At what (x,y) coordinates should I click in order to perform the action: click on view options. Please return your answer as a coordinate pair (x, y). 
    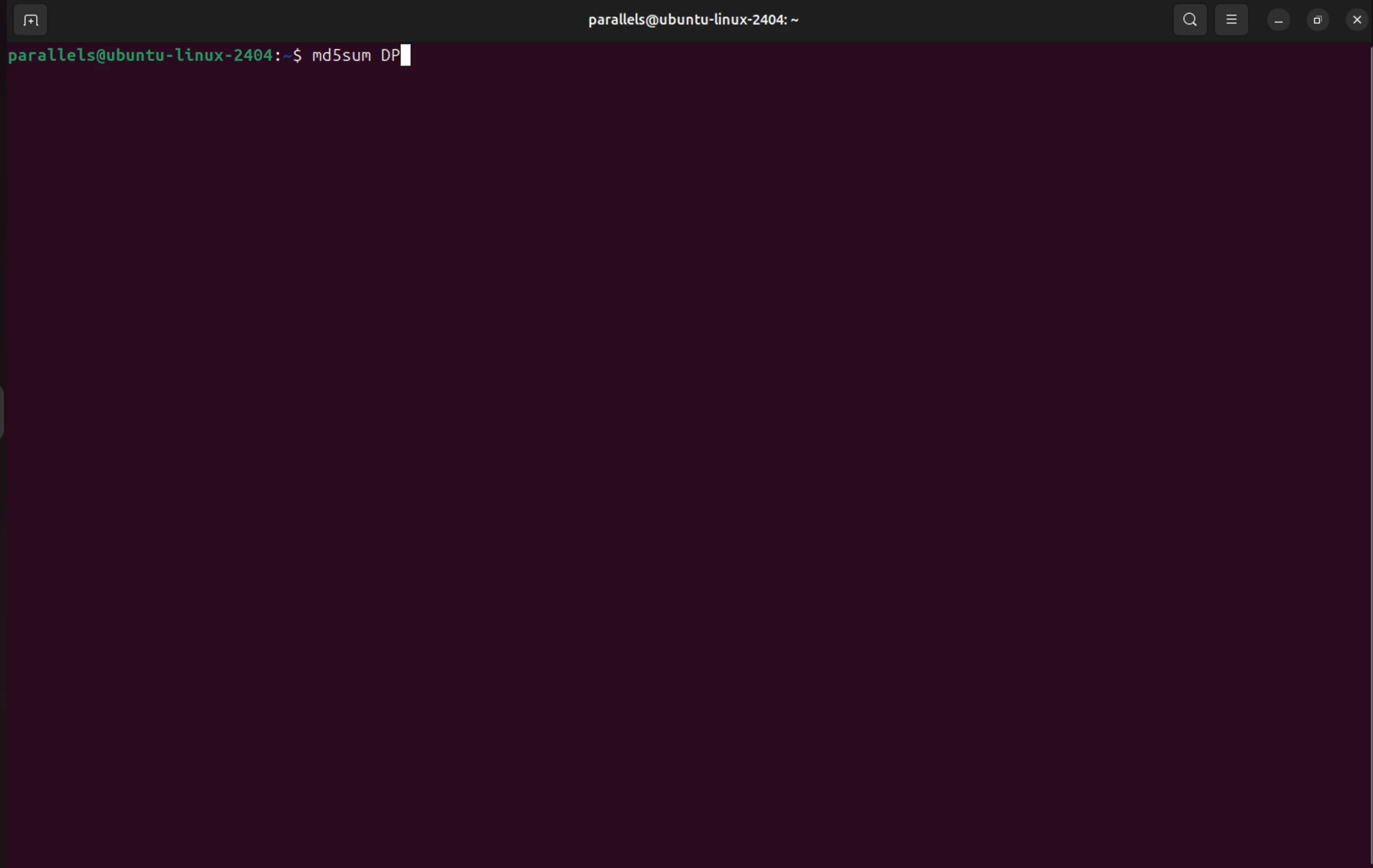
    Looking at the image, I should click on (1233, 19).